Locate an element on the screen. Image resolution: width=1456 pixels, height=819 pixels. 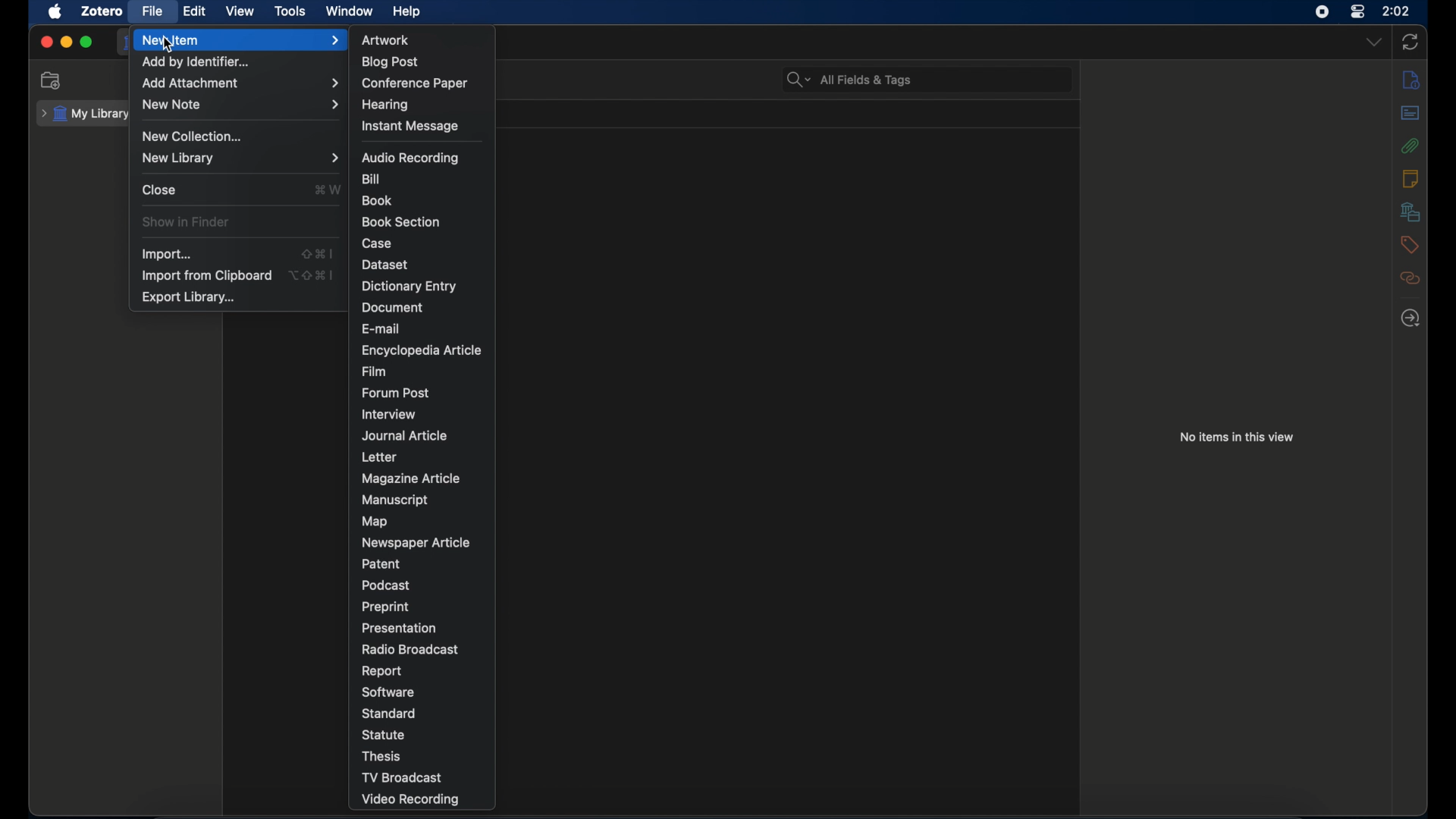
import from clipboard is located at coordinates (206, 275).